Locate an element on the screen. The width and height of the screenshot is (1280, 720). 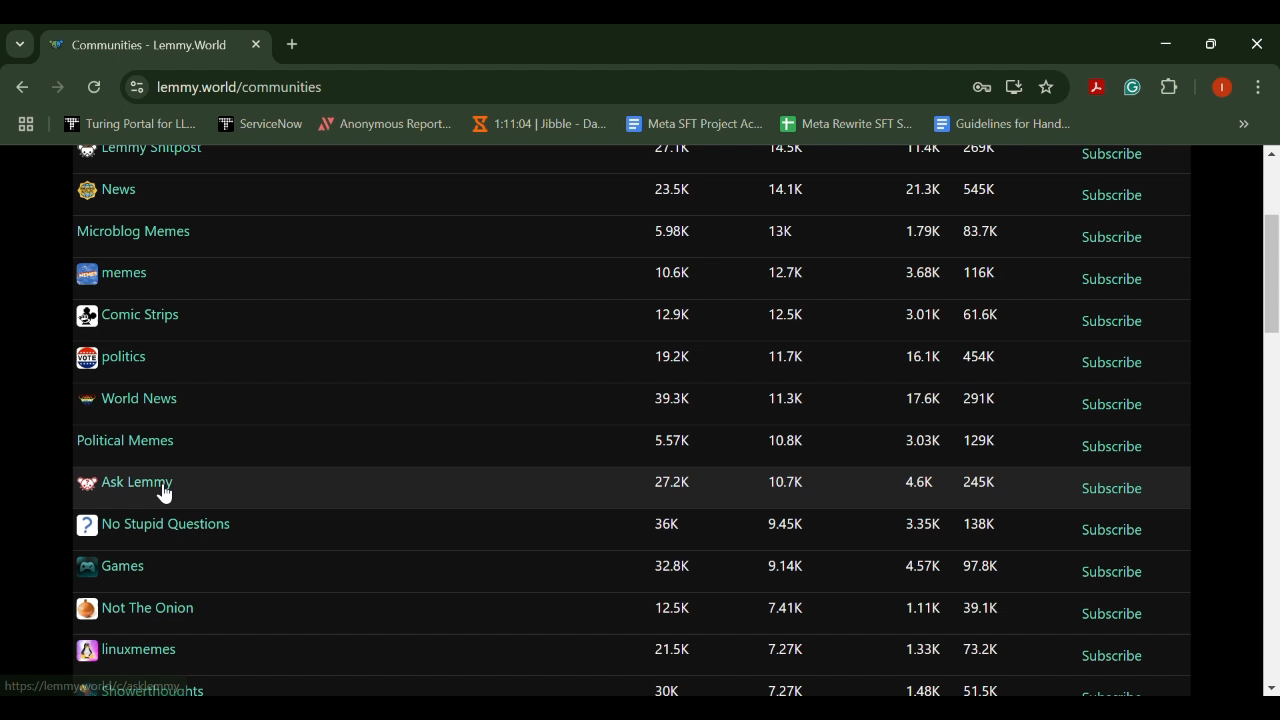
138K is located at coordinates (980, 524).